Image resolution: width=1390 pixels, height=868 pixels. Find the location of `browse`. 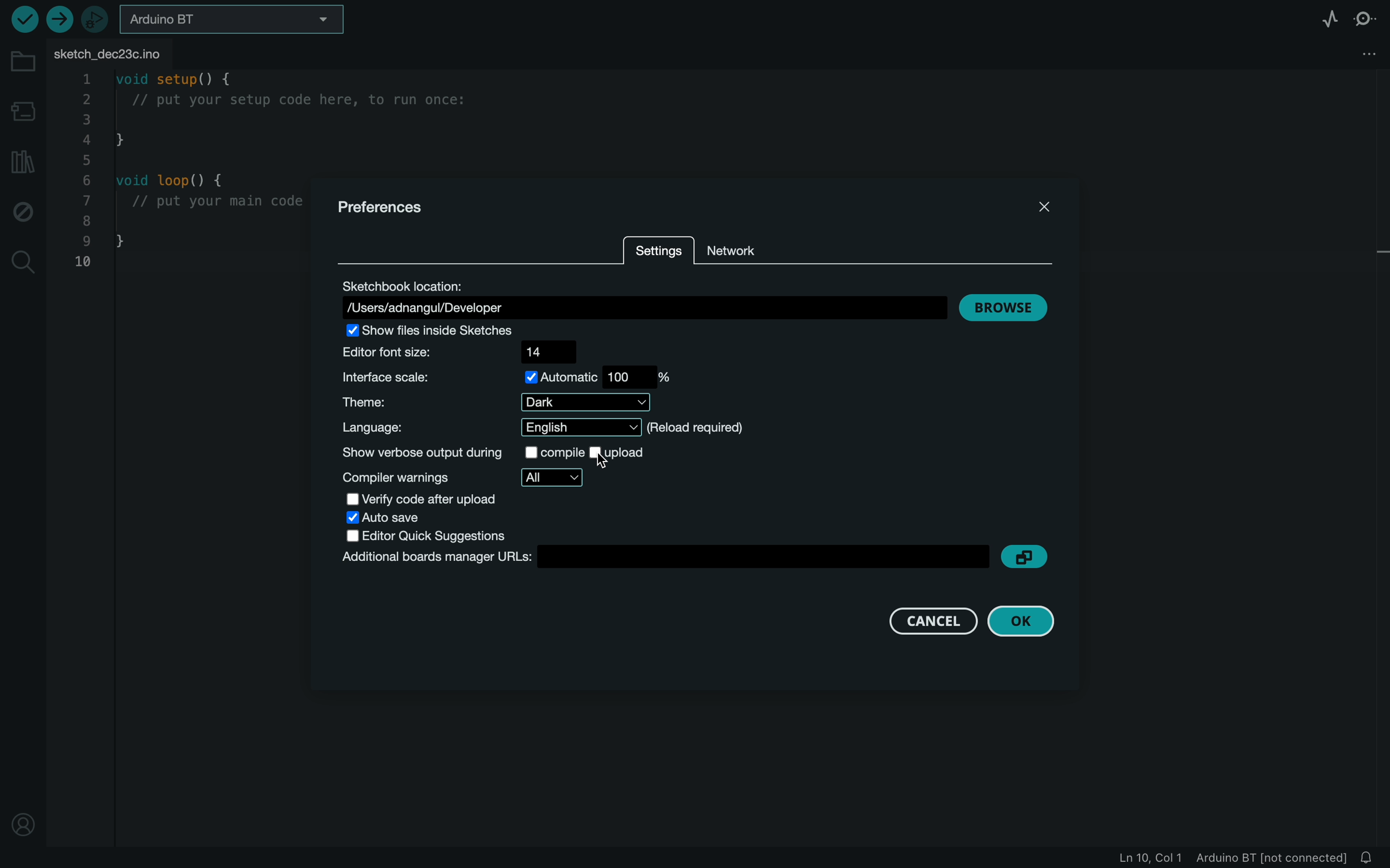

browse is located at coordinates (1010, 308).